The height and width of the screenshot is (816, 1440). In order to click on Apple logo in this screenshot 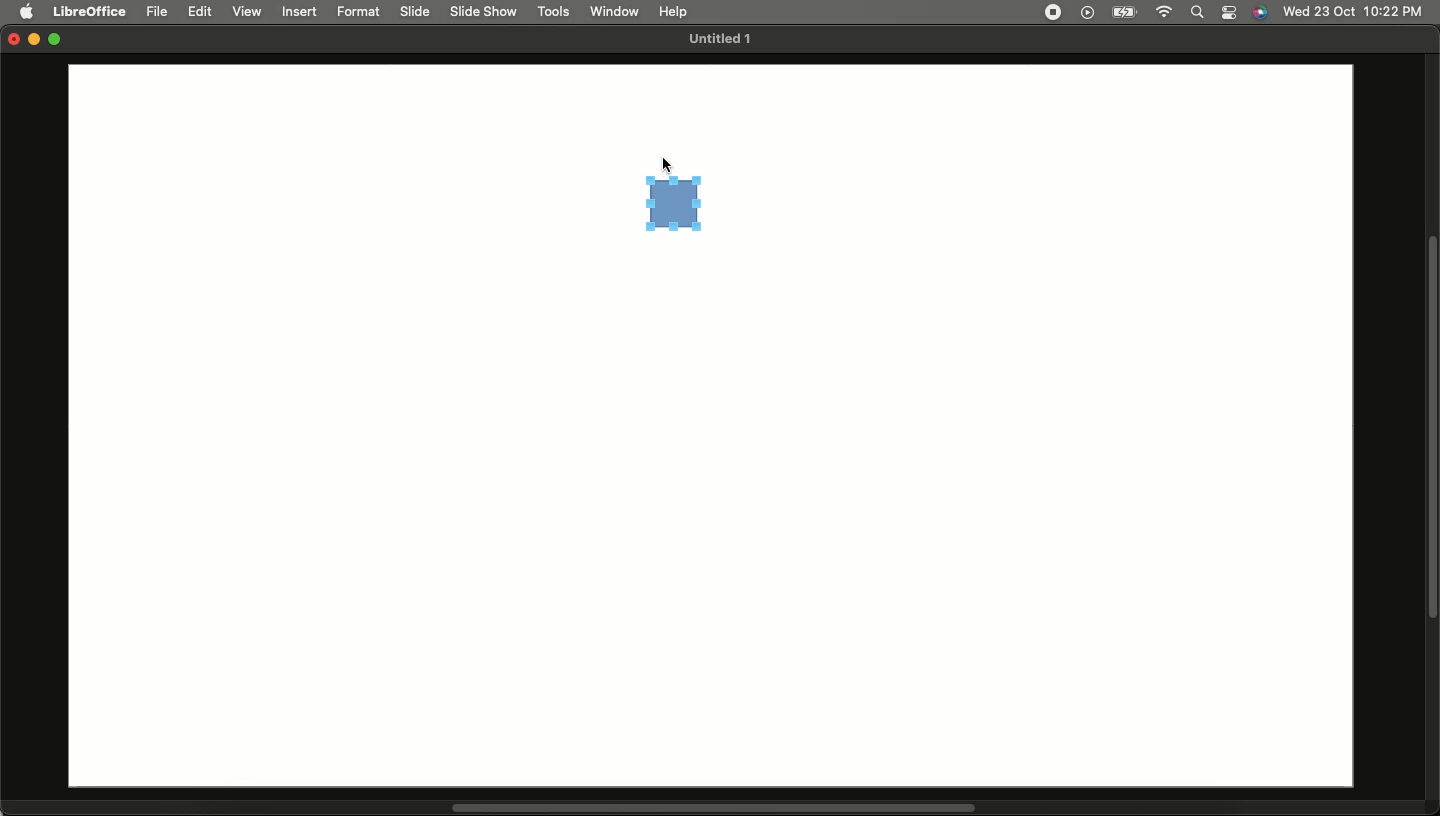, I will do `click(29, 13)`.